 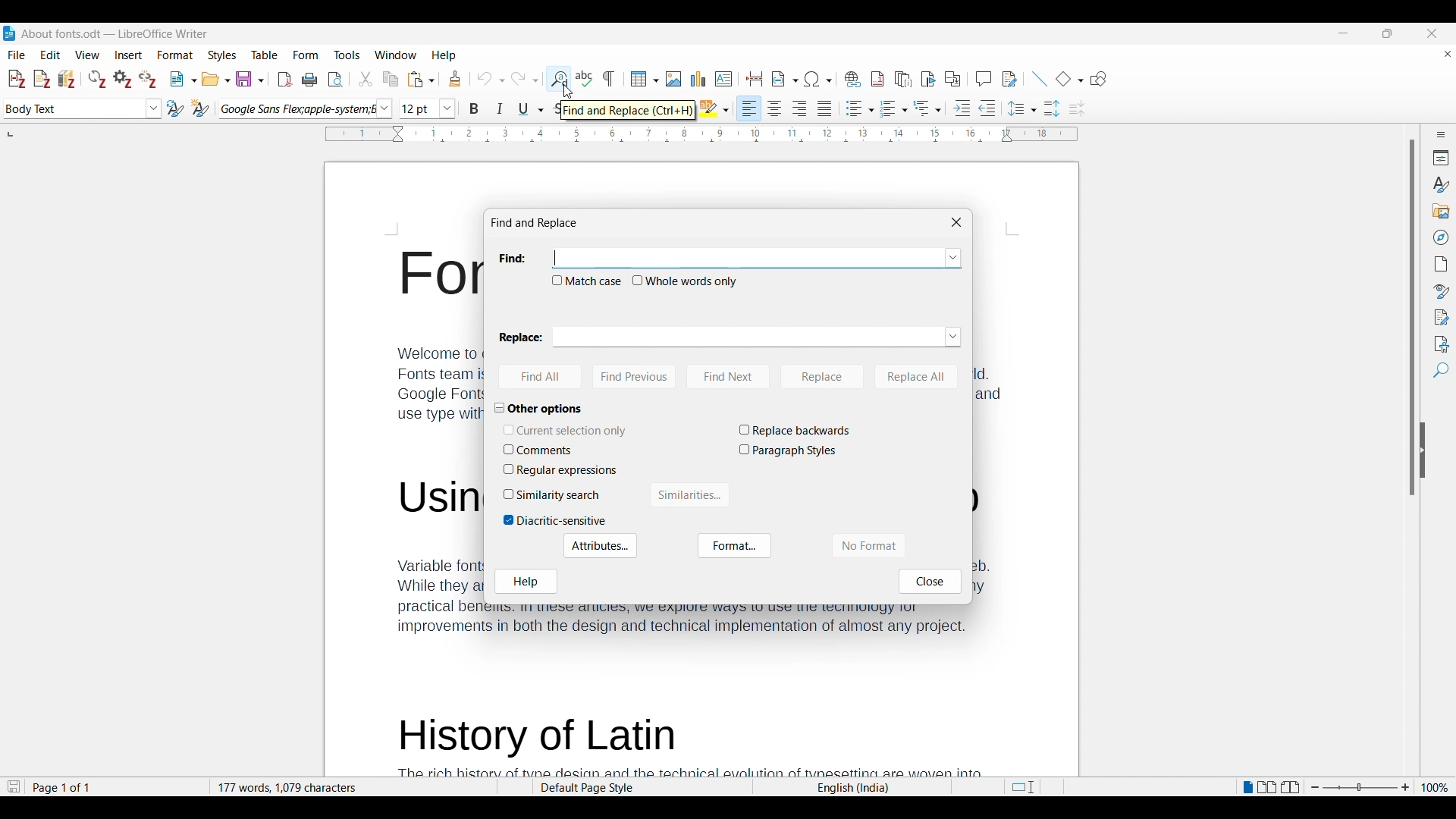 What do you see at coordinates (1009, 79) in the screenshot?
I see `Show track changes functions ` at bounding box center [1009, 79].